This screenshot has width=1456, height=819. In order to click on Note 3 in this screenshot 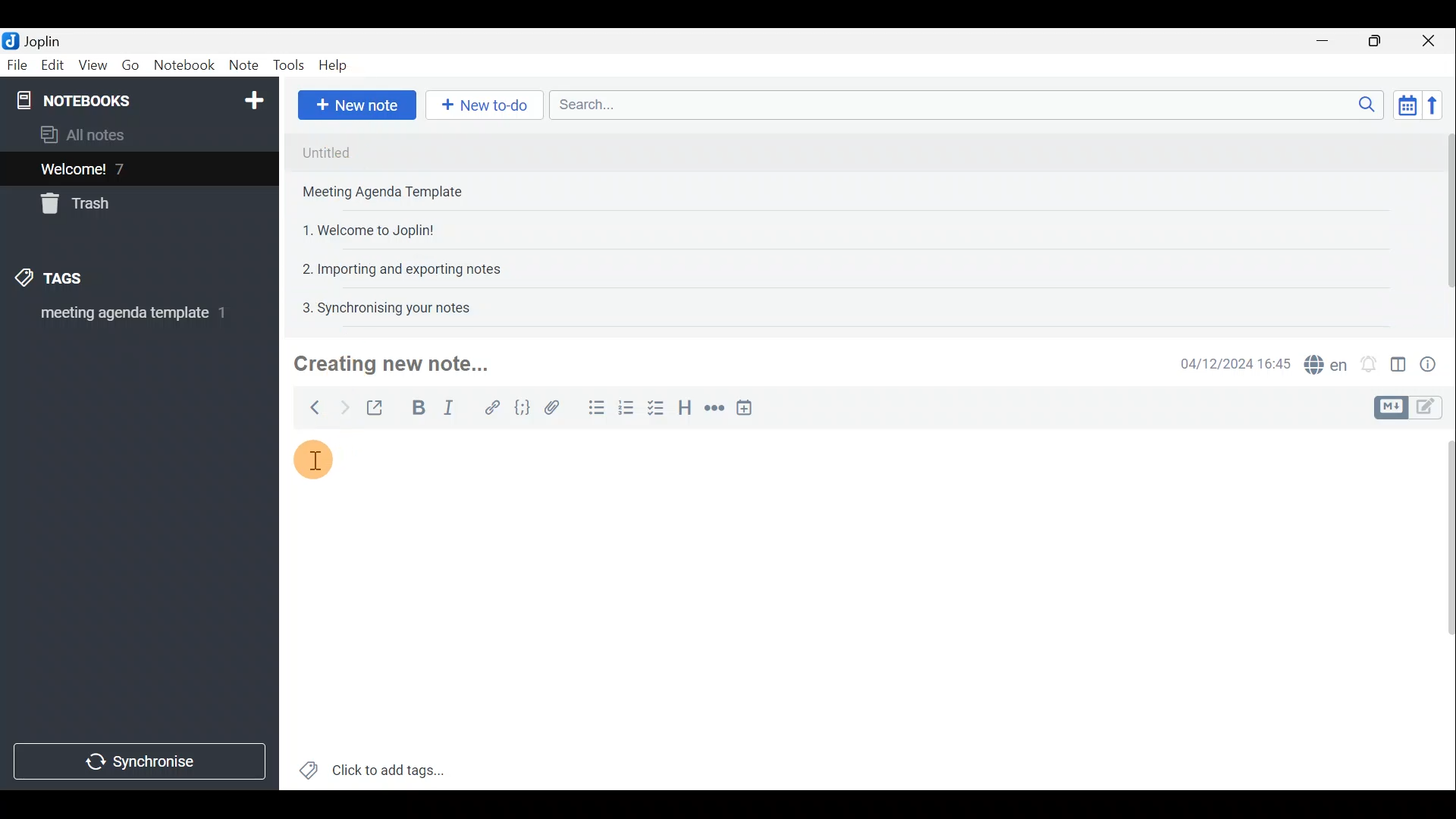, I will do `click(362, 228)`.